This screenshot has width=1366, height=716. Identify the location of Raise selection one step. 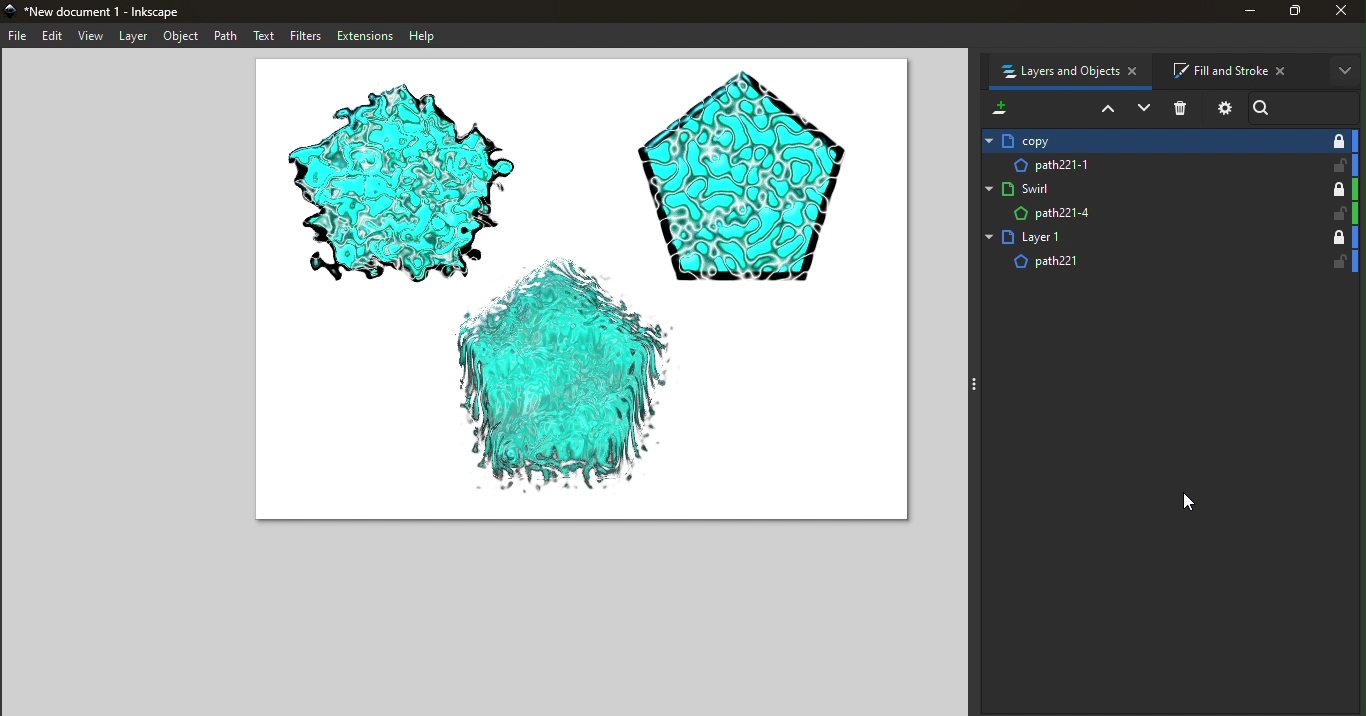
(1105, 110).